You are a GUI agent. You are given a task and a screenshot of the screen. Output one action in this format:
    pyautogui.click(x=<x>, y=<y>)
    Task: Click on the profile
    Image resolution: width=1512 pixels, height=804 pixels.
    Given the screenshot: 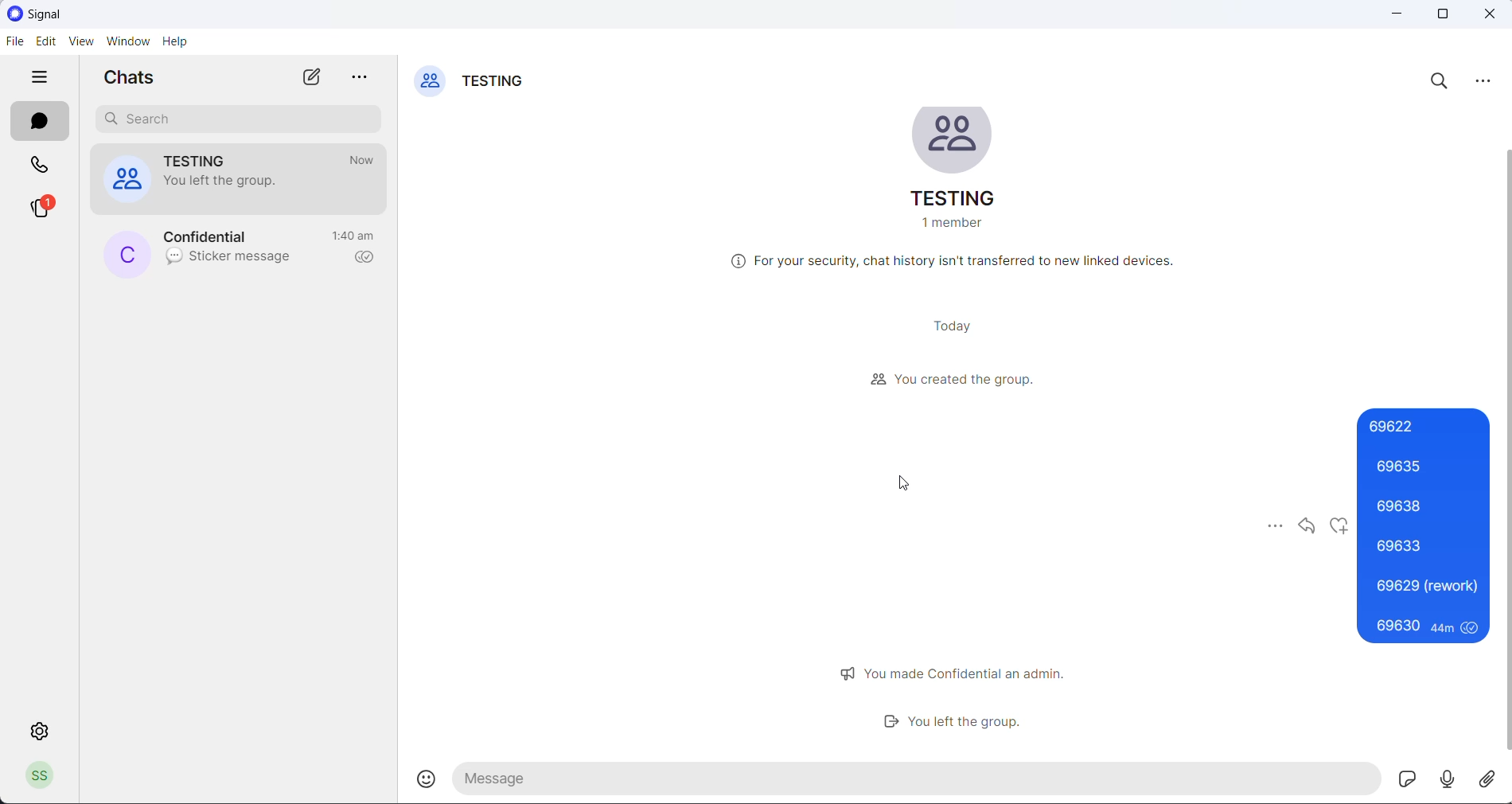 What is the action you would take?
    pyautogui.click(x=45, y=775)
    